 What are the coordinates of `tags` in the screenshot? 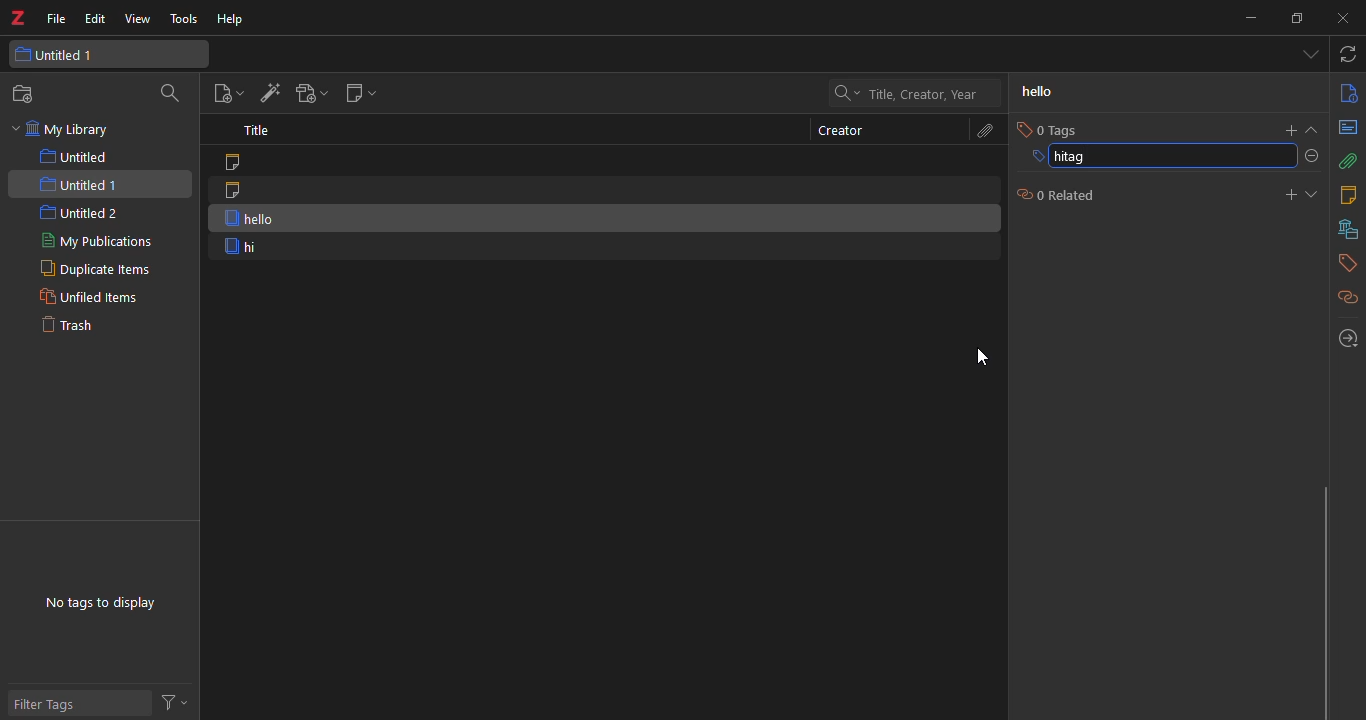 It's located at (1345, 263).